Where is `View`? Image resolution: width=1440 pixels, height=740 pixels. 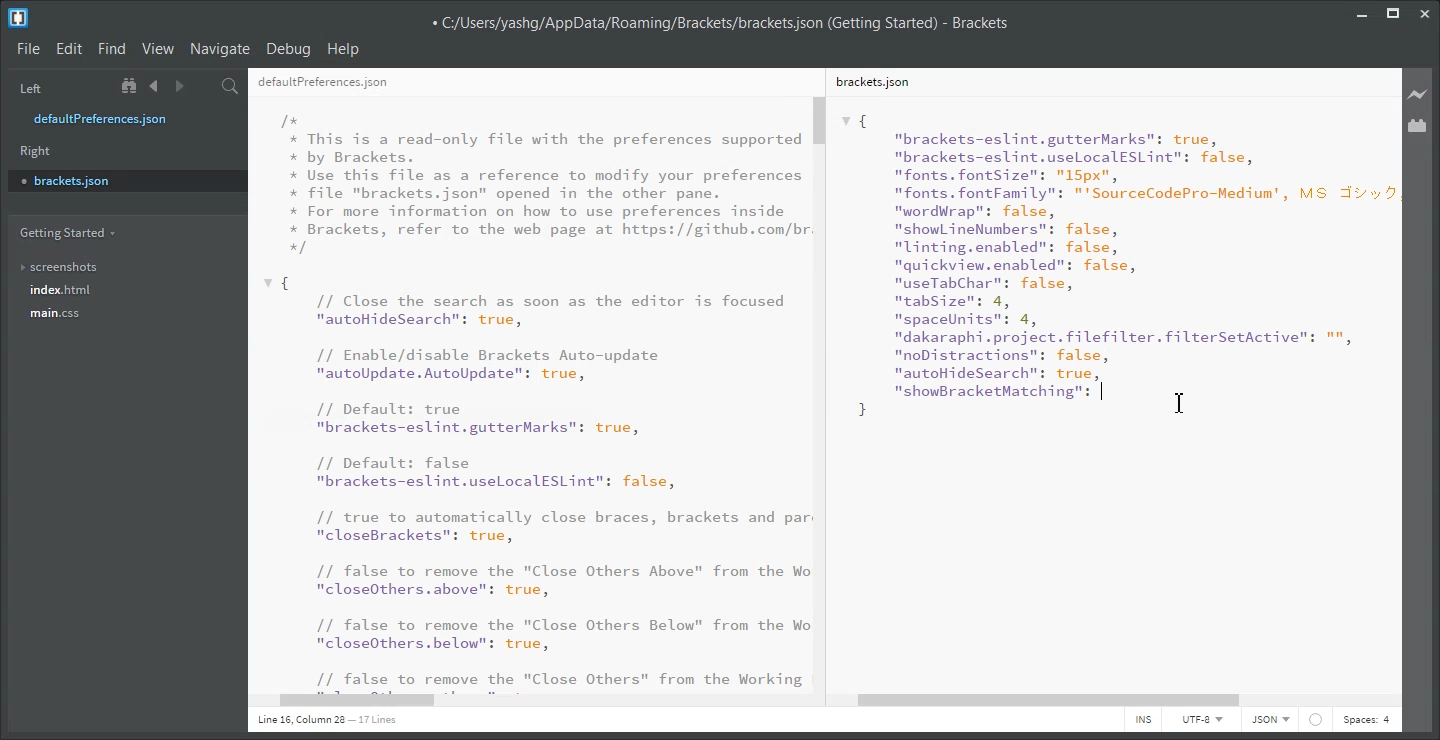 View is located at coordinates (158, 49).